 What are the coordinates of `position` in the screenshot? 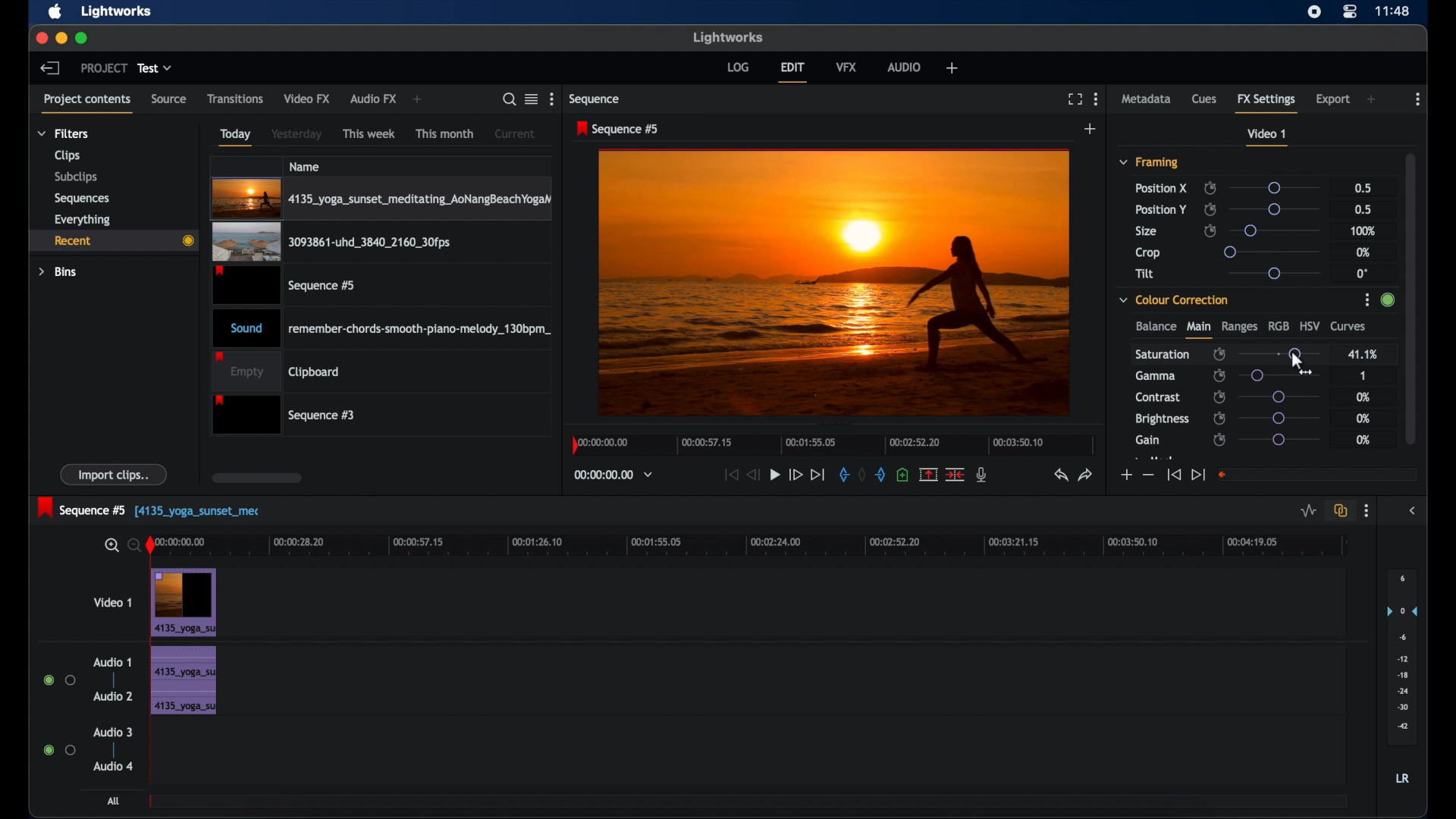 It's located at (1161, 209).